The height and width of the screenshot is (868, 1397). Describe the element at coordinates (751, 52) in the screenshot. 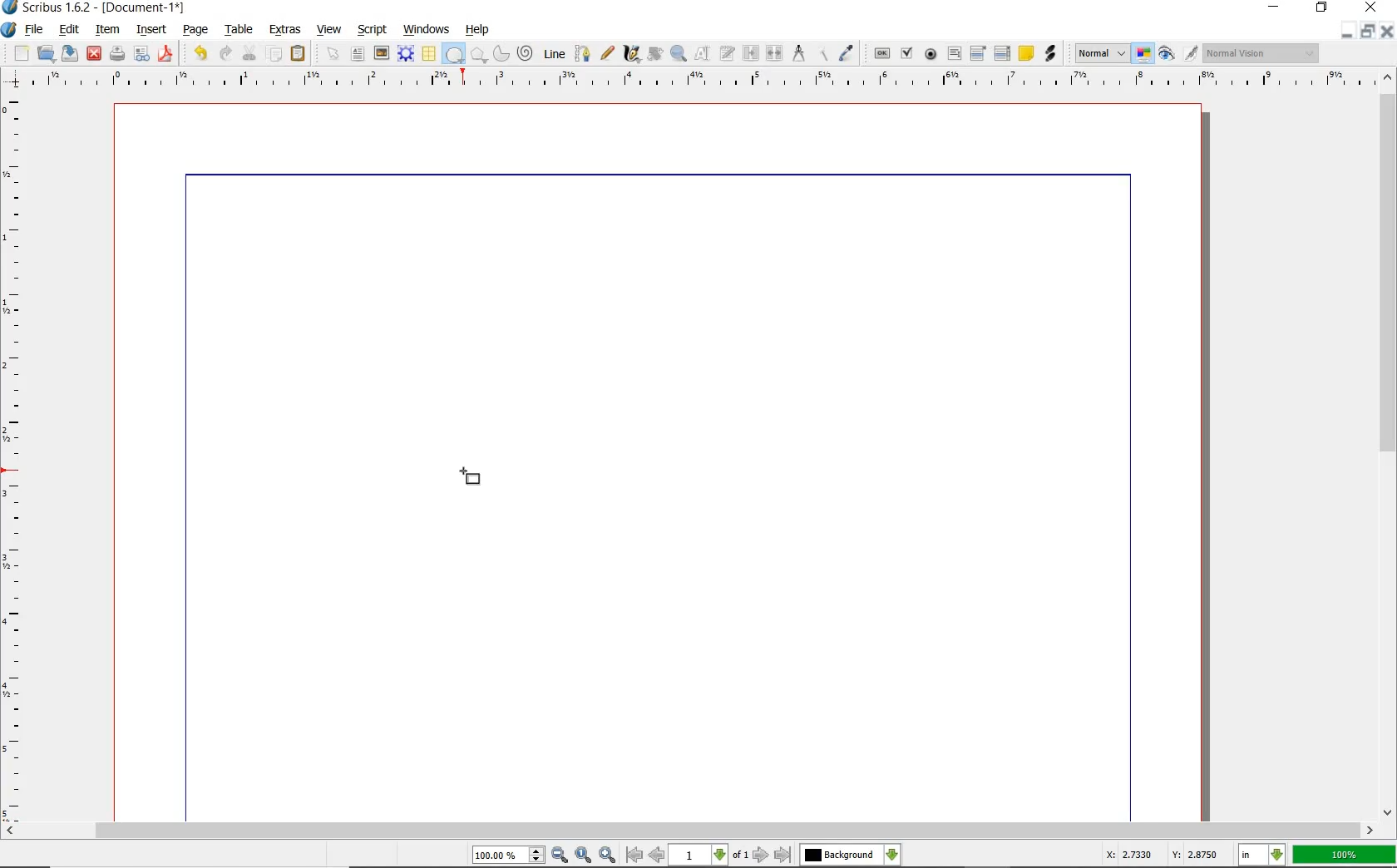

I see `LINK TEXT FRAME` at that location.